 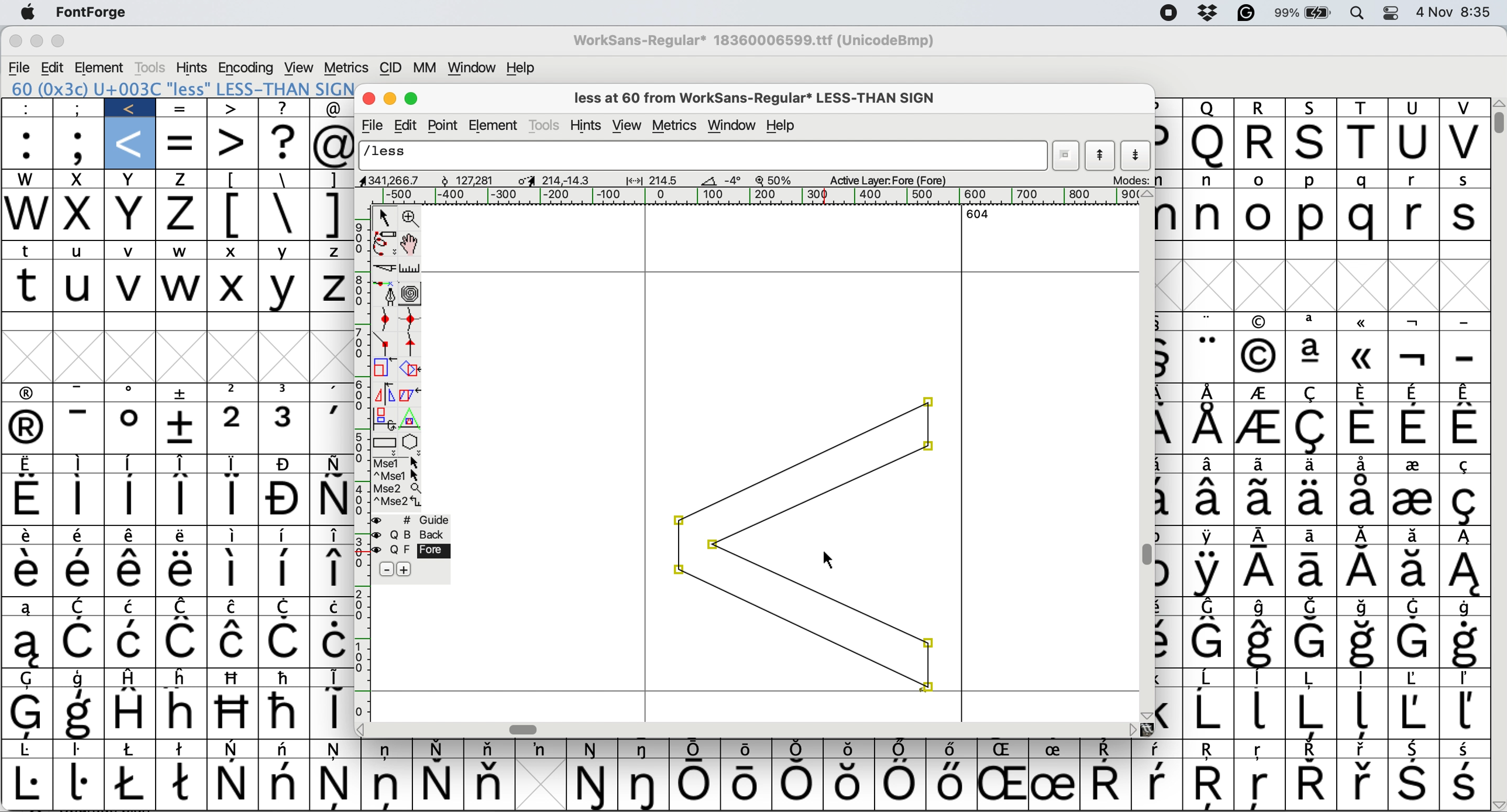 I want to click on Symbol, so click(x=83, y=751).